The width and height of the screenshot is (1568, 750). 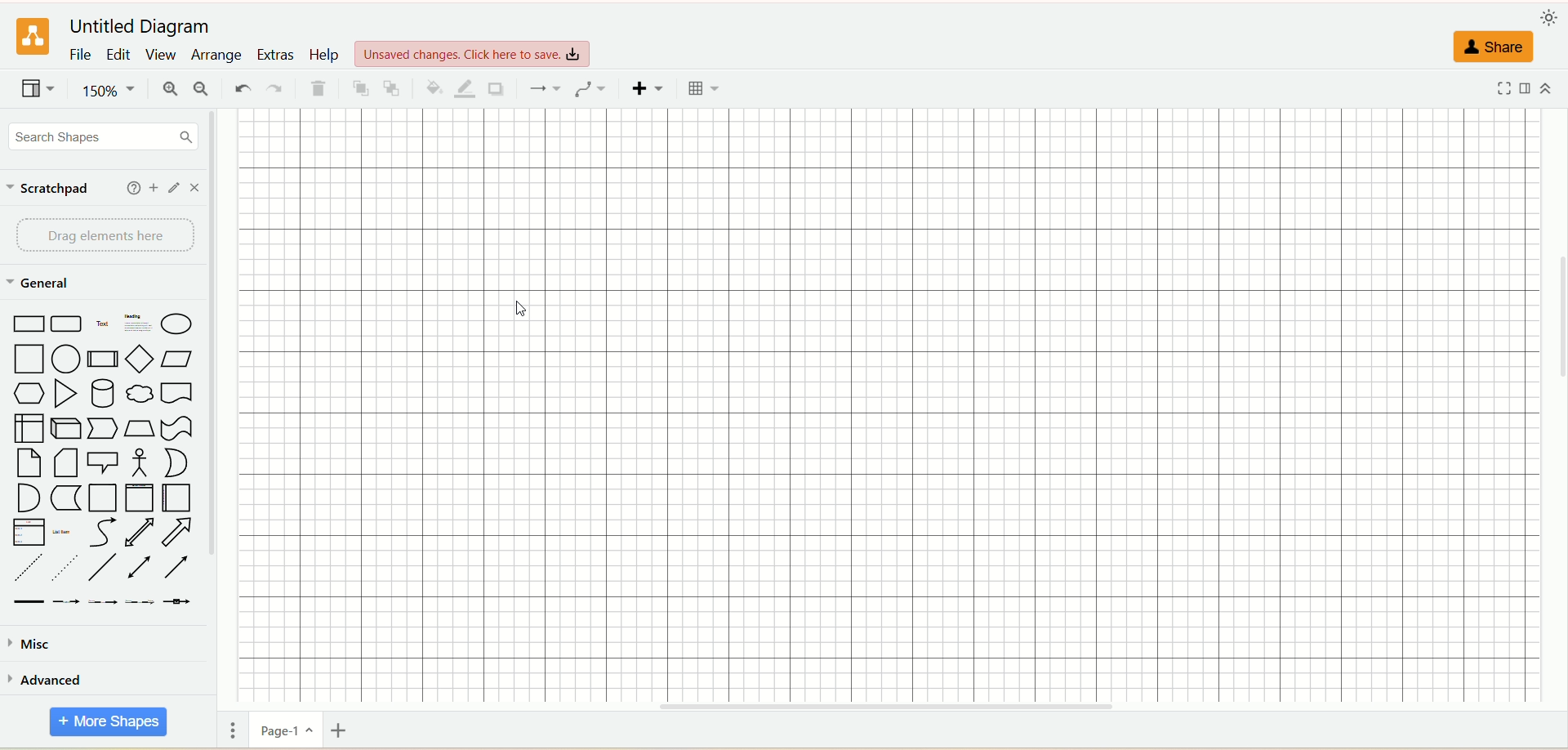 What do you see at coordinates (176, 567) in the screenshot?
I see `directional connector` at bounding box center [176, 567].